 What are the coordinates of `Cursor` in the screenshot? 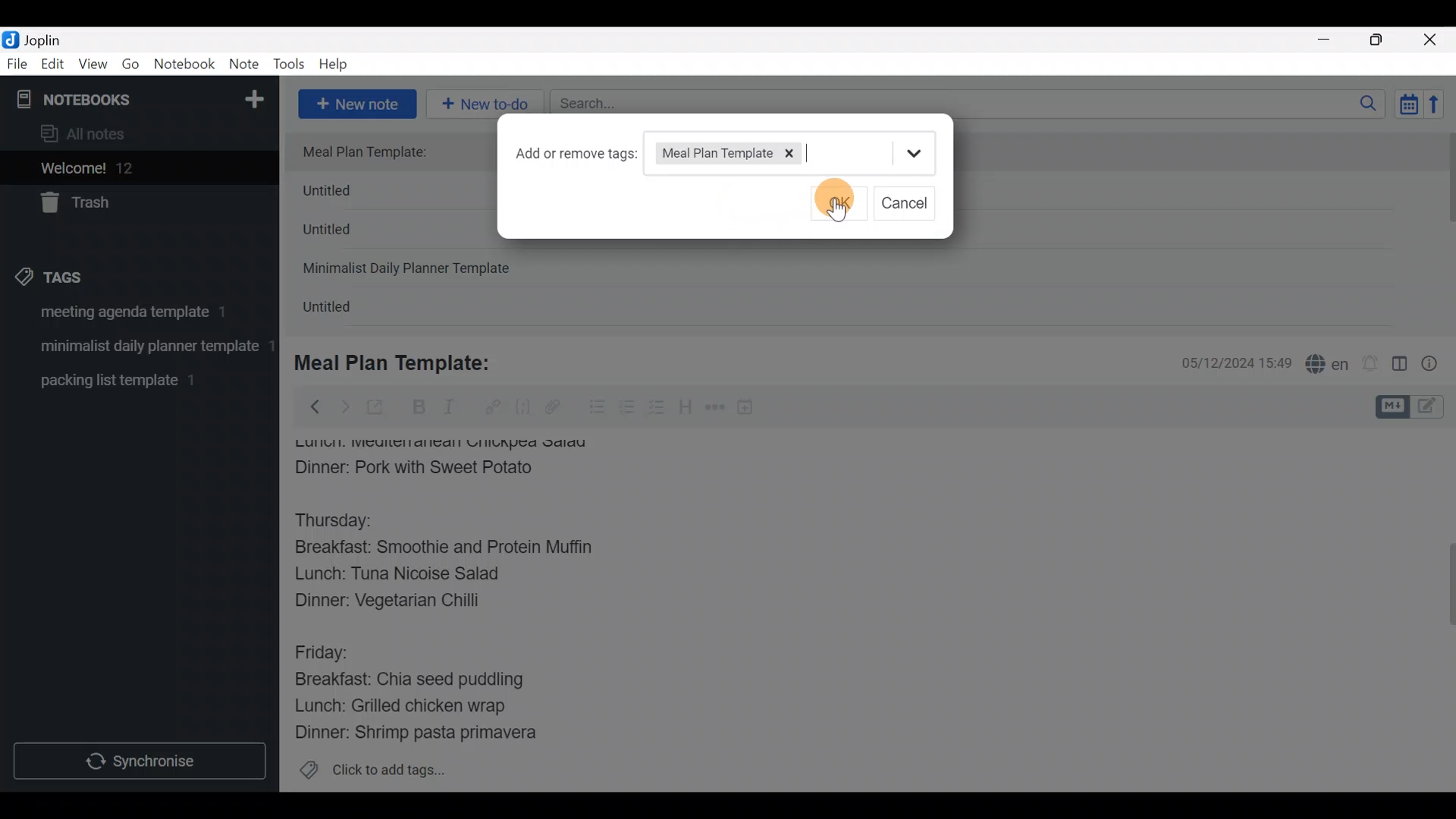 It's located at (832, 199).